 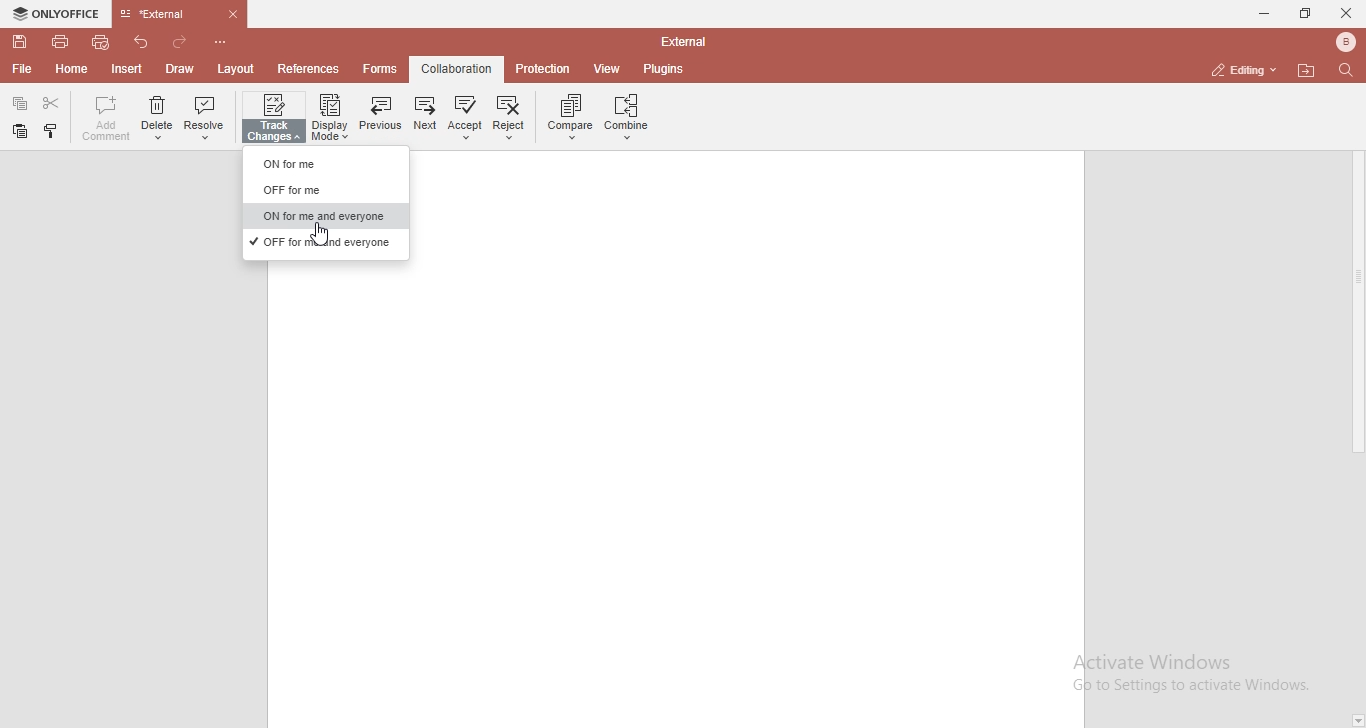 I want to click on text cursor, so click(x=319, y=232).